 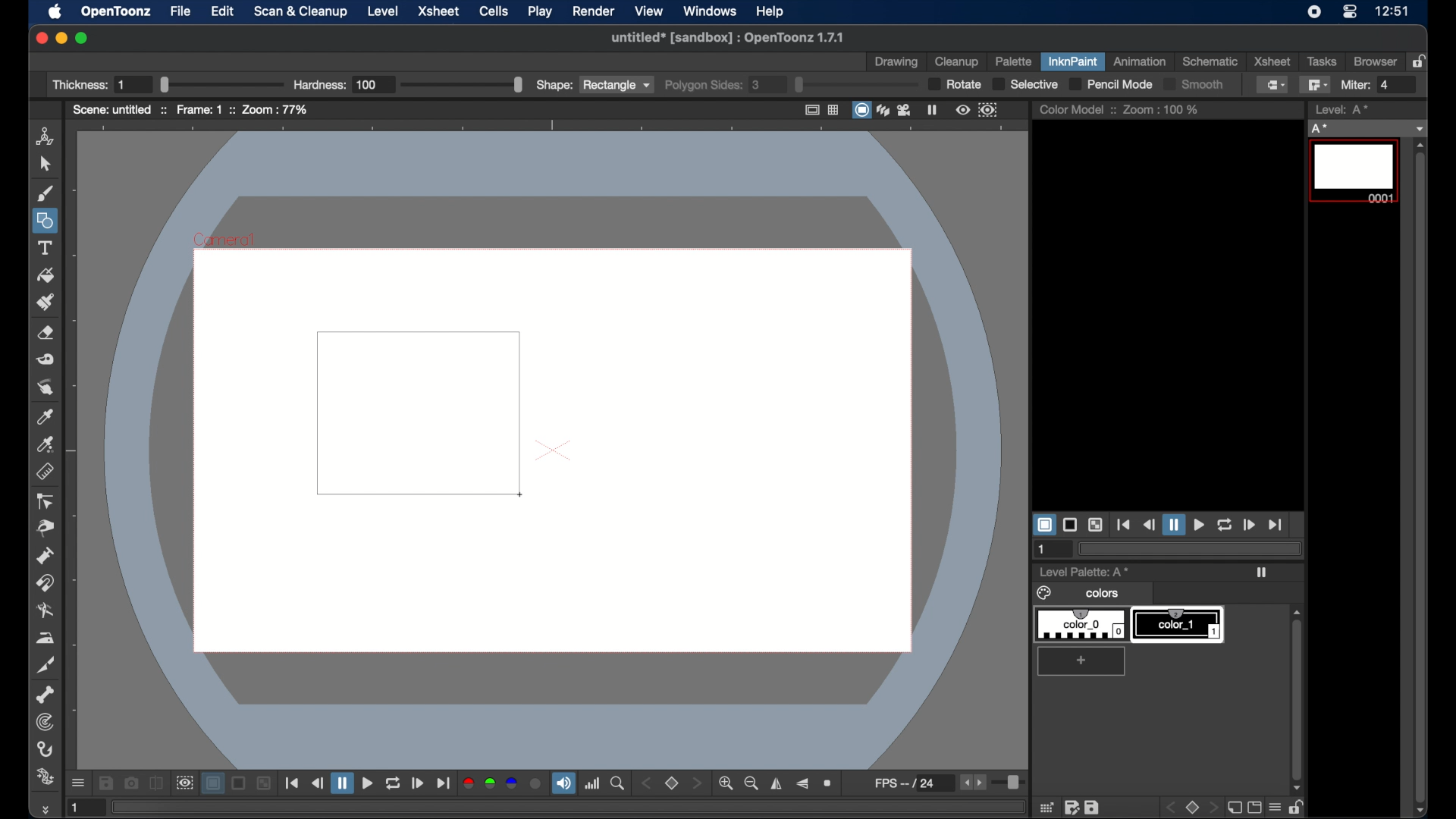 What do you see at coordinates (972, 782) in the screenshot?
I see `stepper buttons` at bounding box center [972, 782].